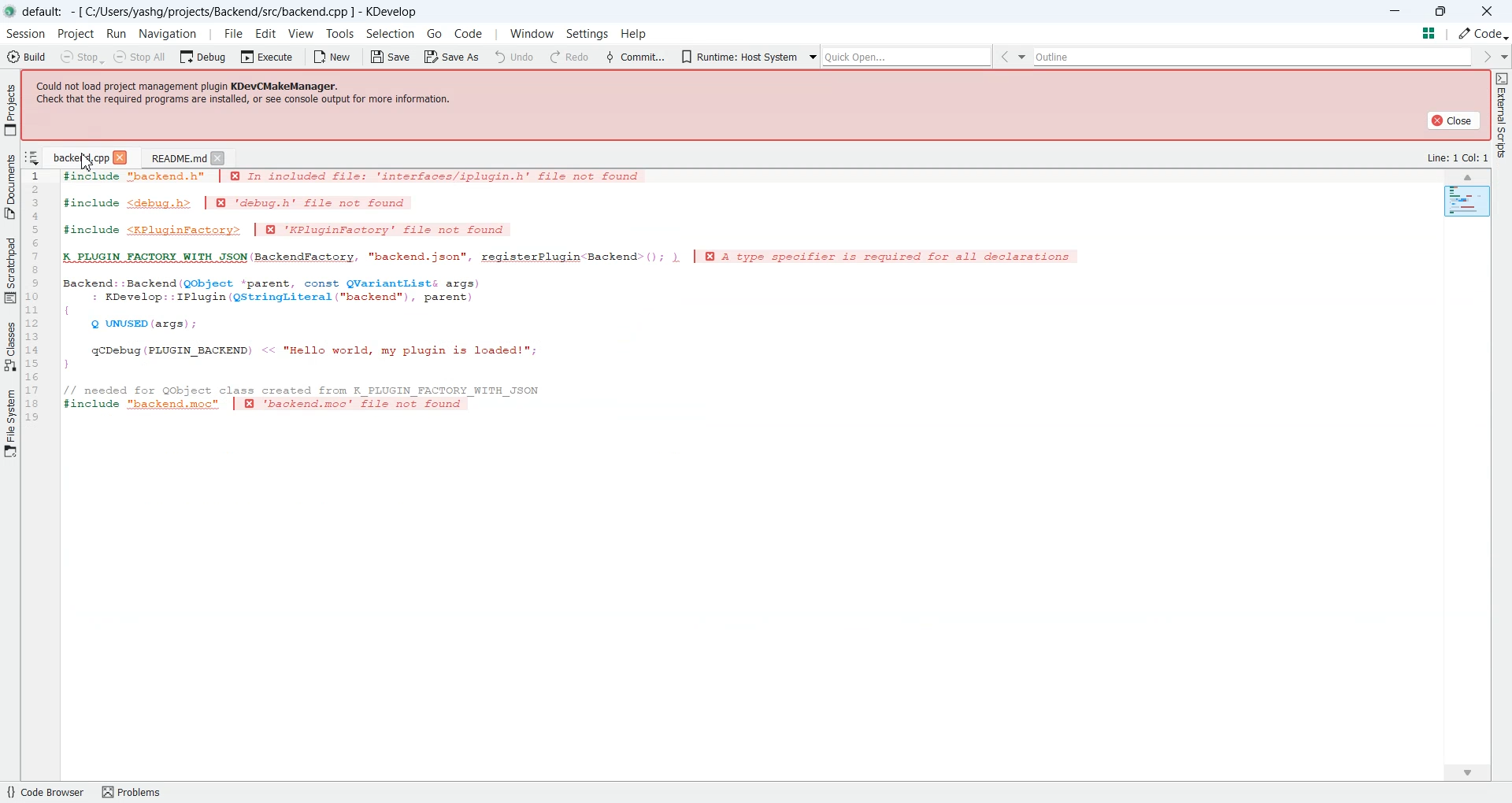 This screenshot has height=803, width=1512. What do you see at coordinates (10, 185) in the screenshot?
I see `Documents` at bounding box center [10, 185].